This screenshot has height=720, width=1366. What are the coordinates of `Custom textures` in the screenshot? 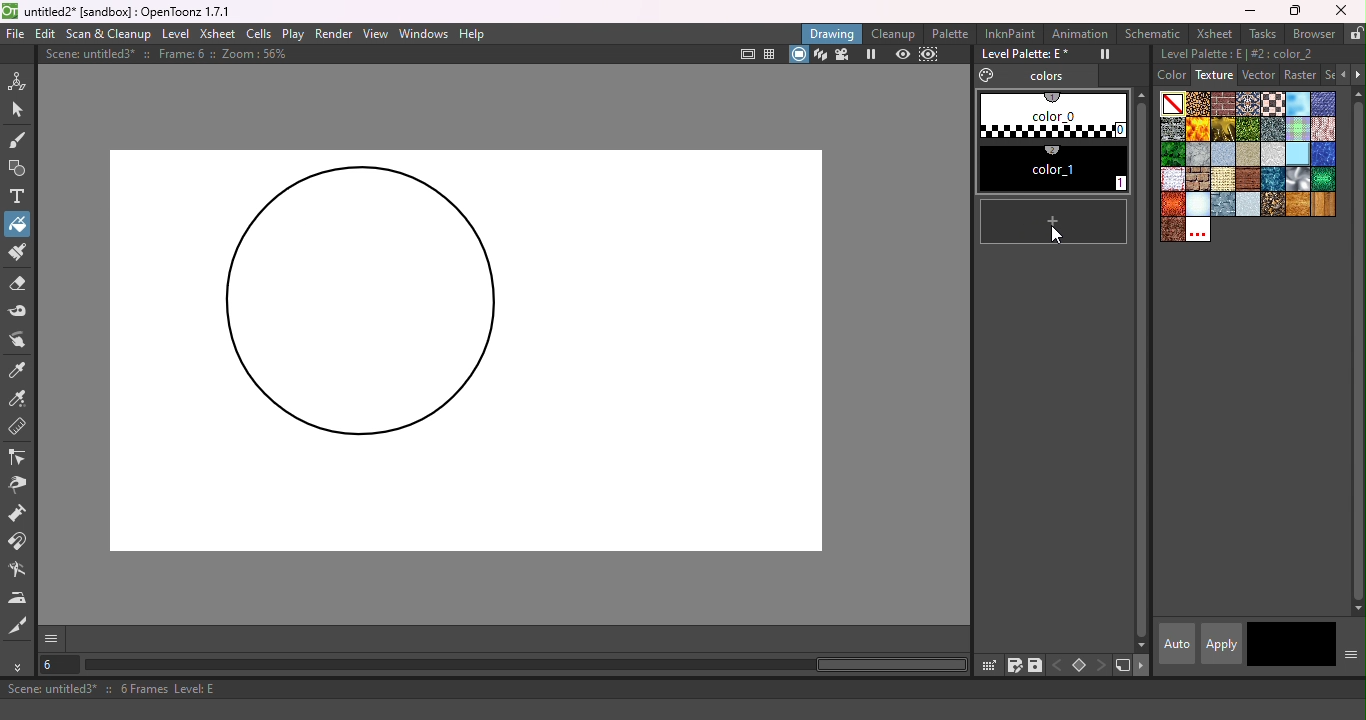 It's located at (1199, 231).